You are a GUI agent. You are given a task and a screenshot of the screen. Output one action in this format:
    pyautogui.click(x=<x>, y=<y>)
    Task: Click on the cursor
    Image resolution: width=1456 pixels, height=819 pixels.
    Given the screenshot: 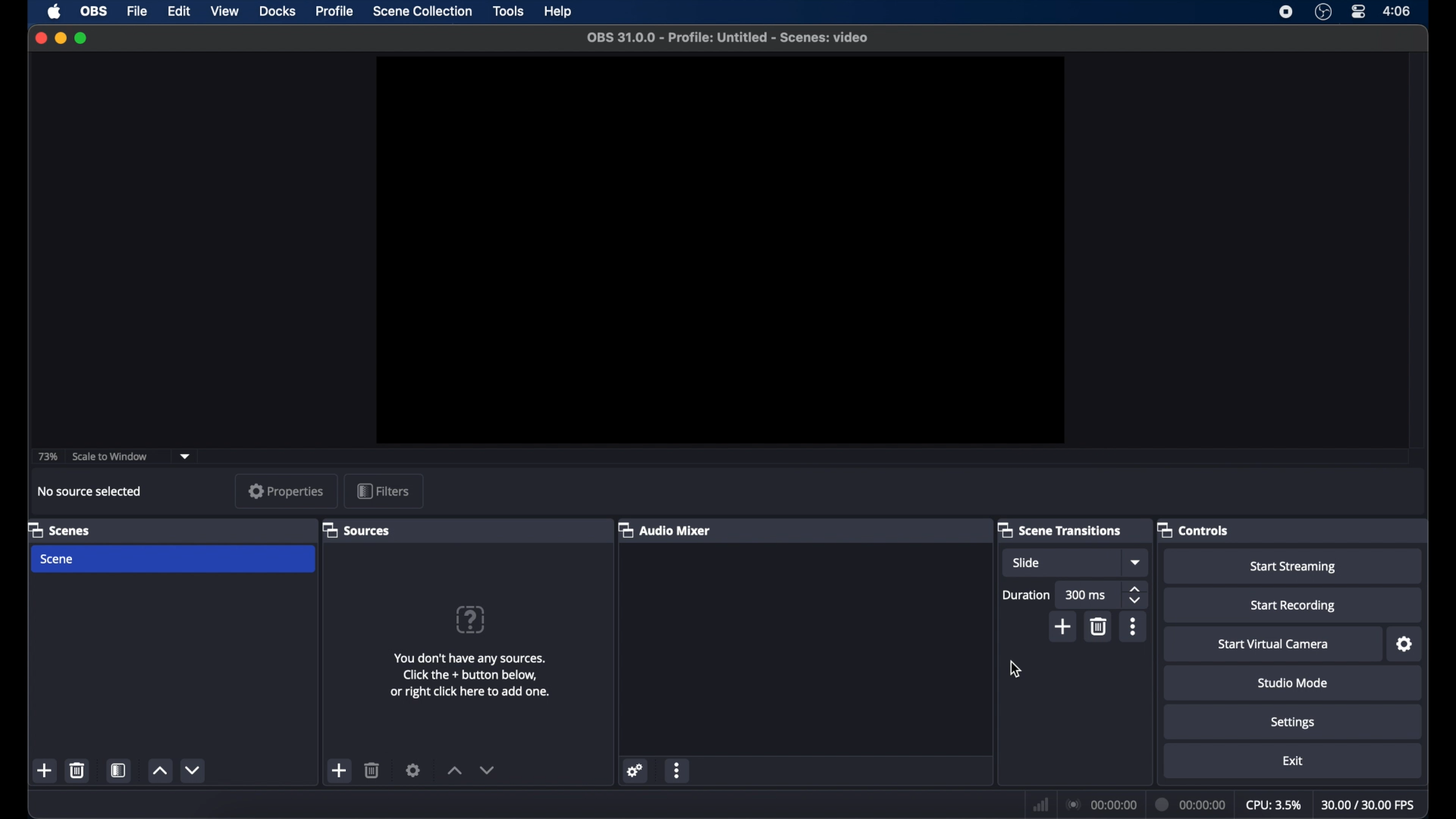 What is the action you would take?
    pyautogui.click(x=1015, y=668)
    